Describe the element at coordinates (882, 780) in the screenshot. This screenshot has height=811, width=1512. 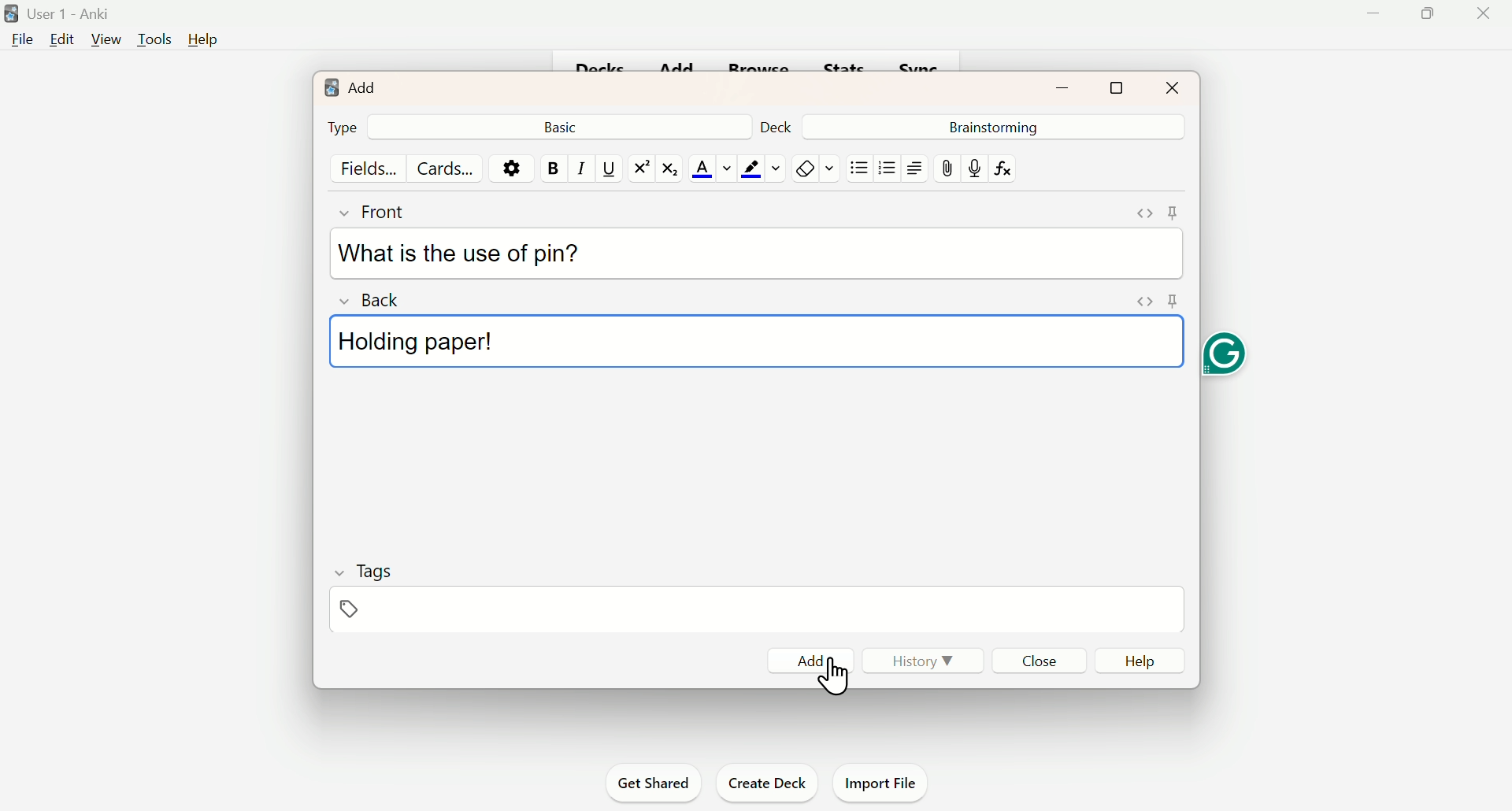
I see `Import File` at that location.